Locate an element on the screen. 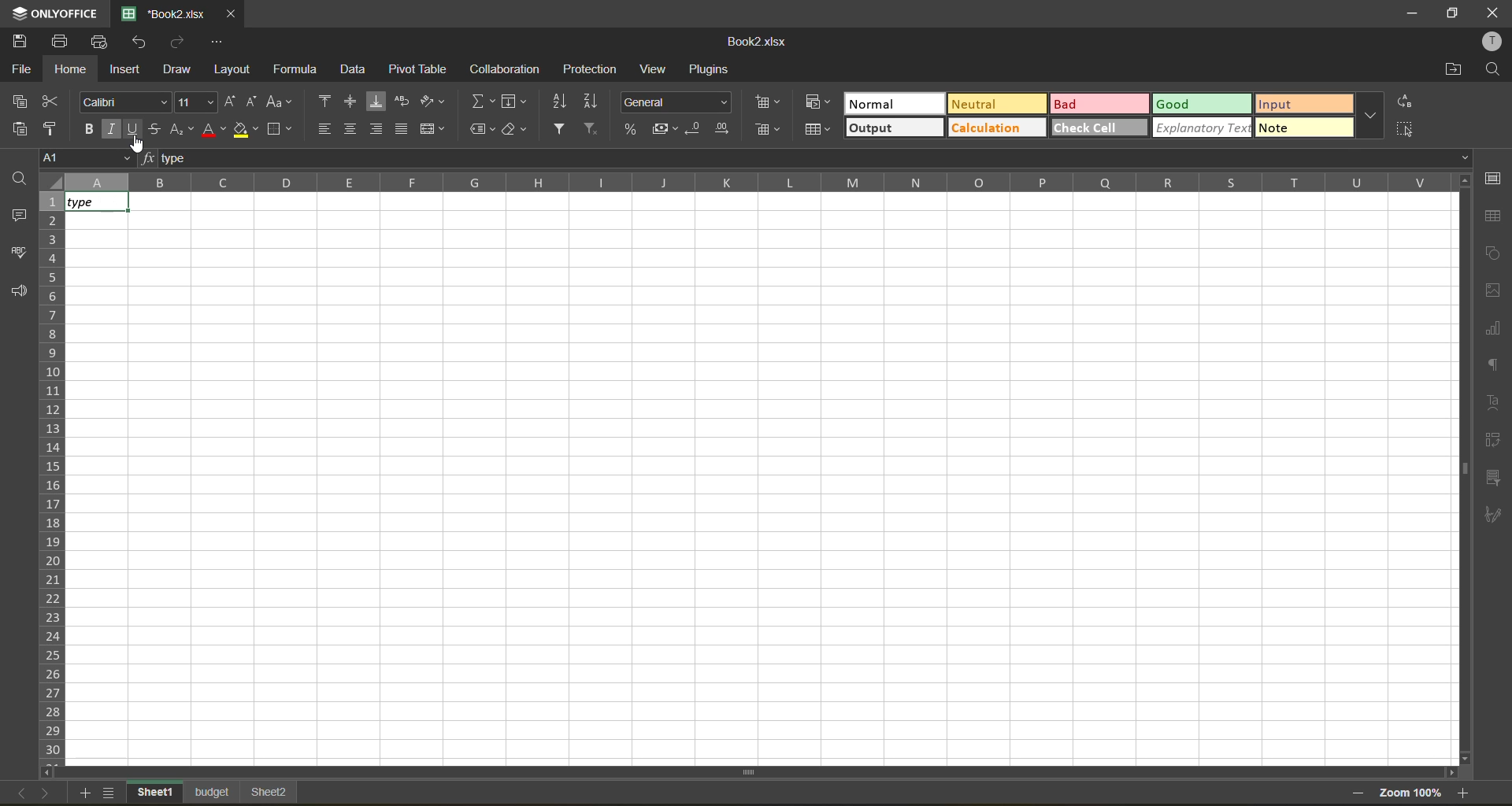  filter is located at coordinates (559, 129).